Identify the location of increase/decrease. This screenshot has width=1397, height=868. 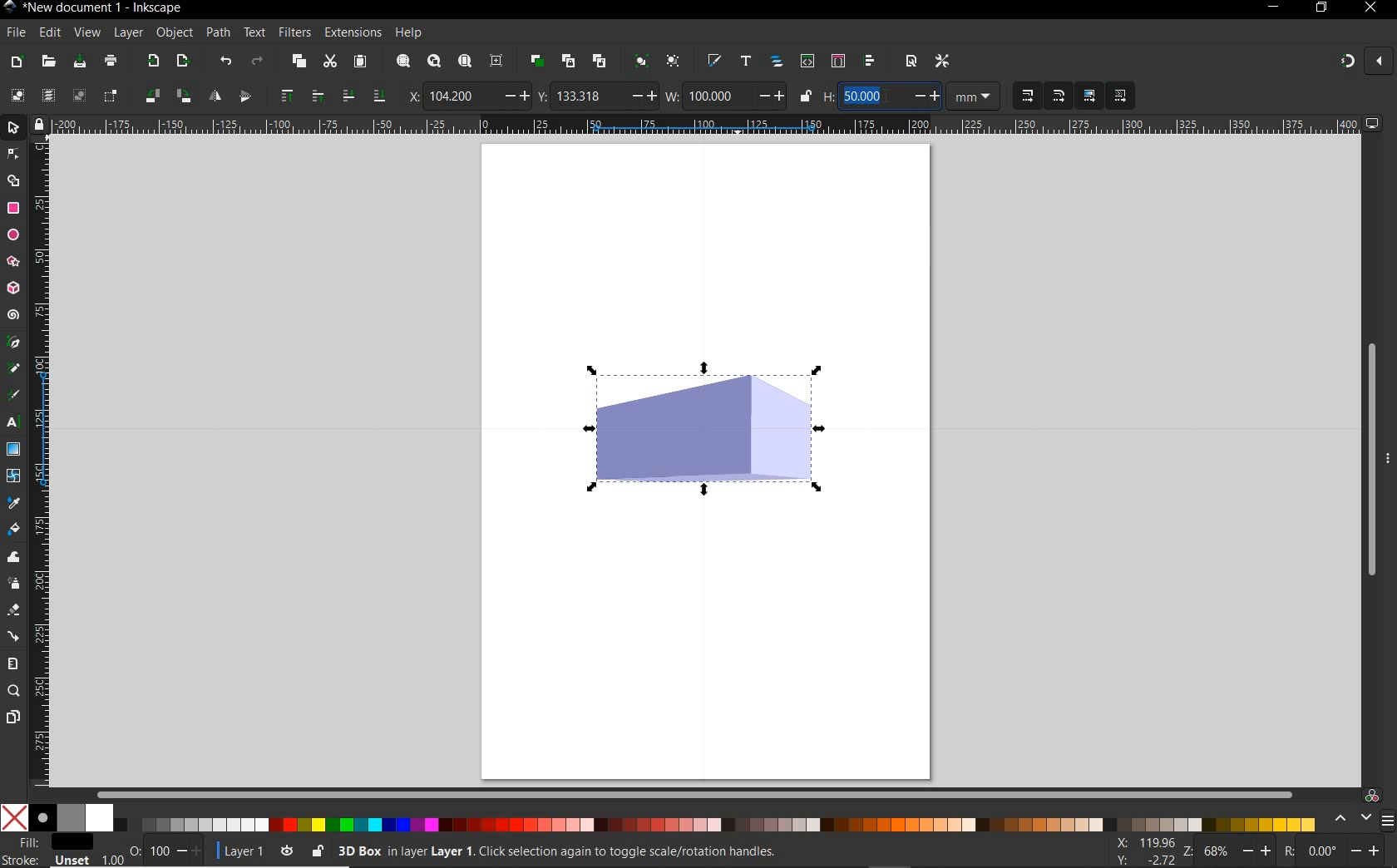
(190, 851).